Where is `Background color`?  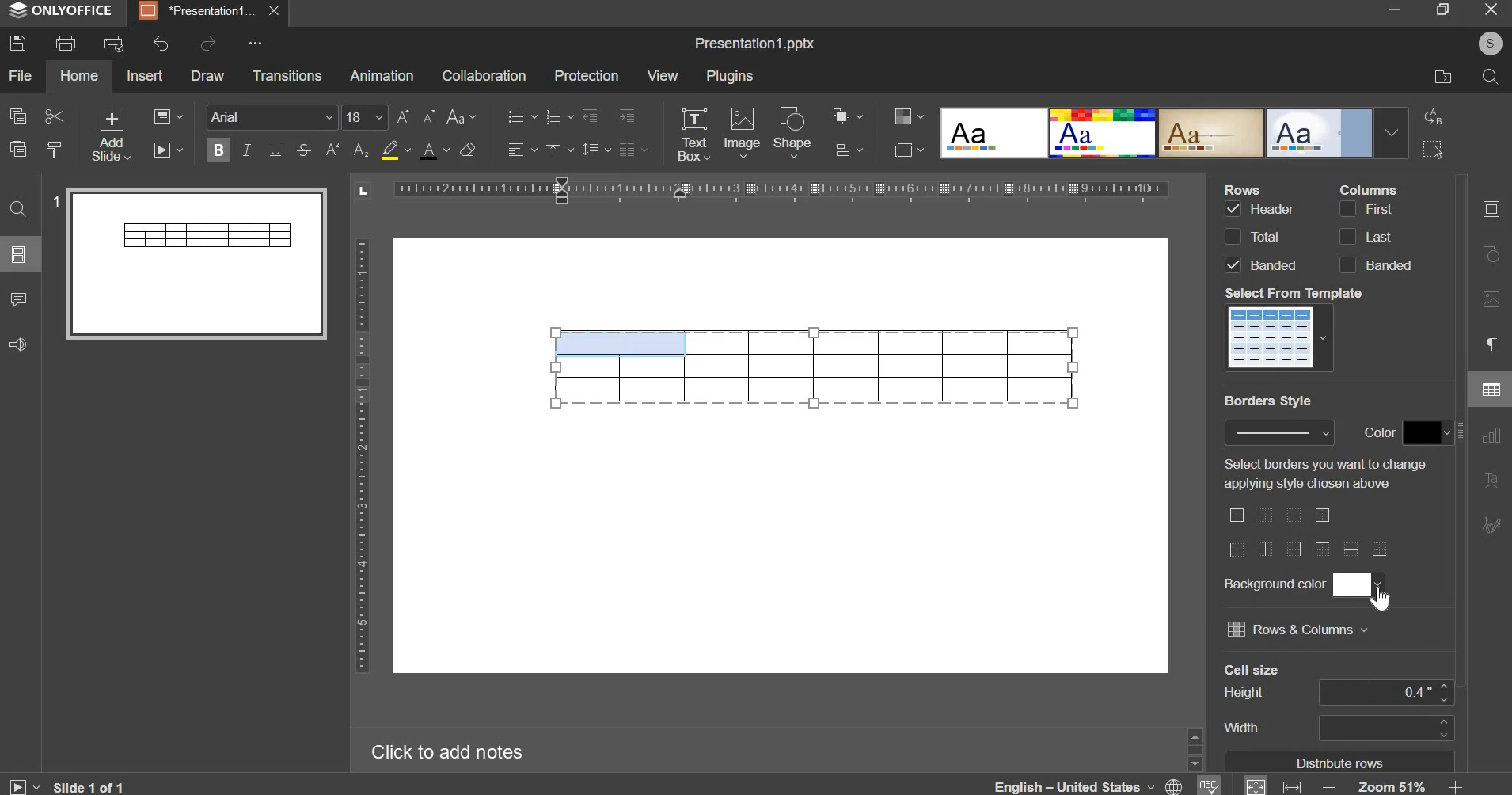
Background color is located at coordinates (1273, 584).